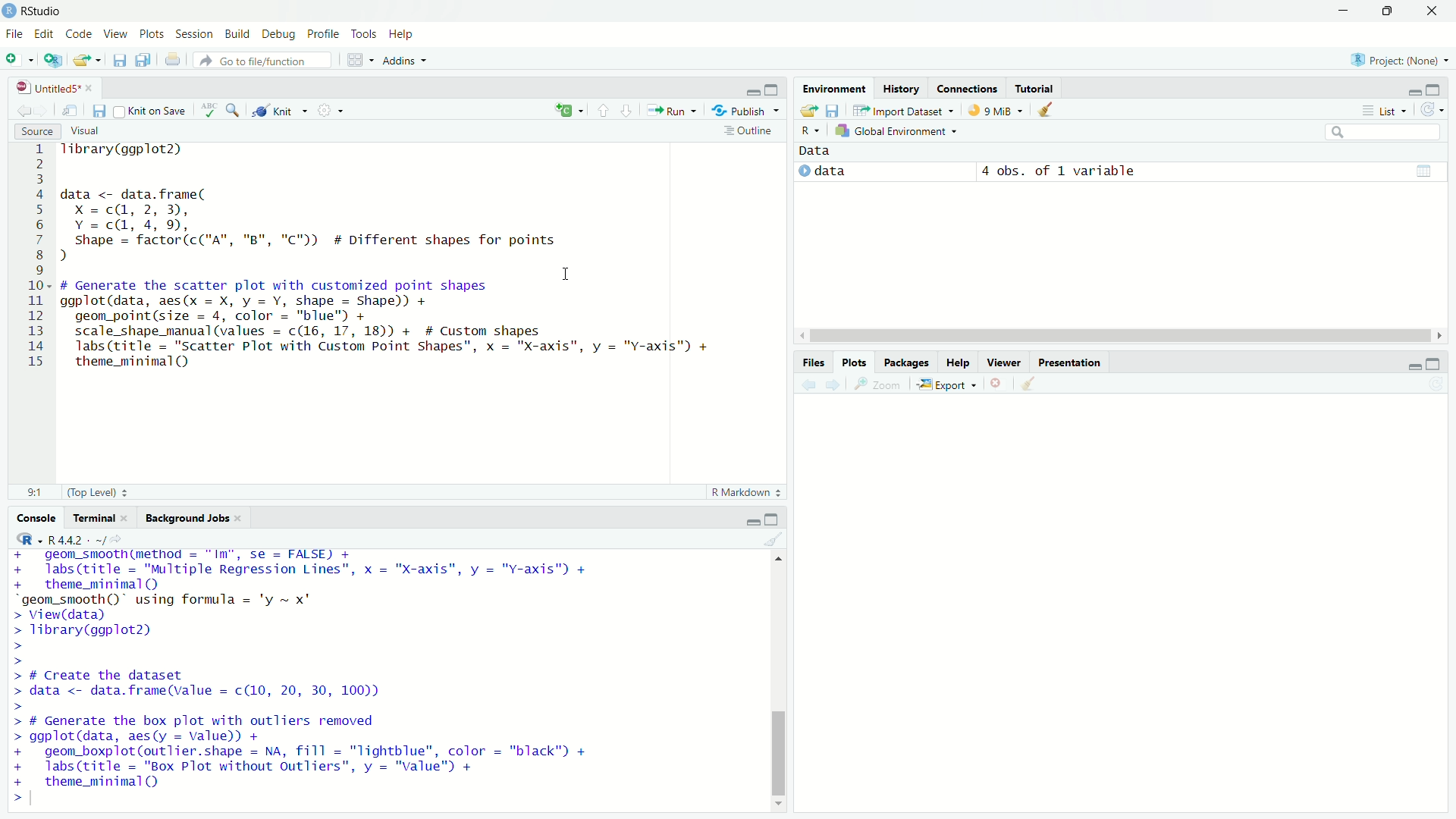  What do you see at coordinates (119, 60) in the screenshot?
I see `Save current document` at bounding box center [119, 60].